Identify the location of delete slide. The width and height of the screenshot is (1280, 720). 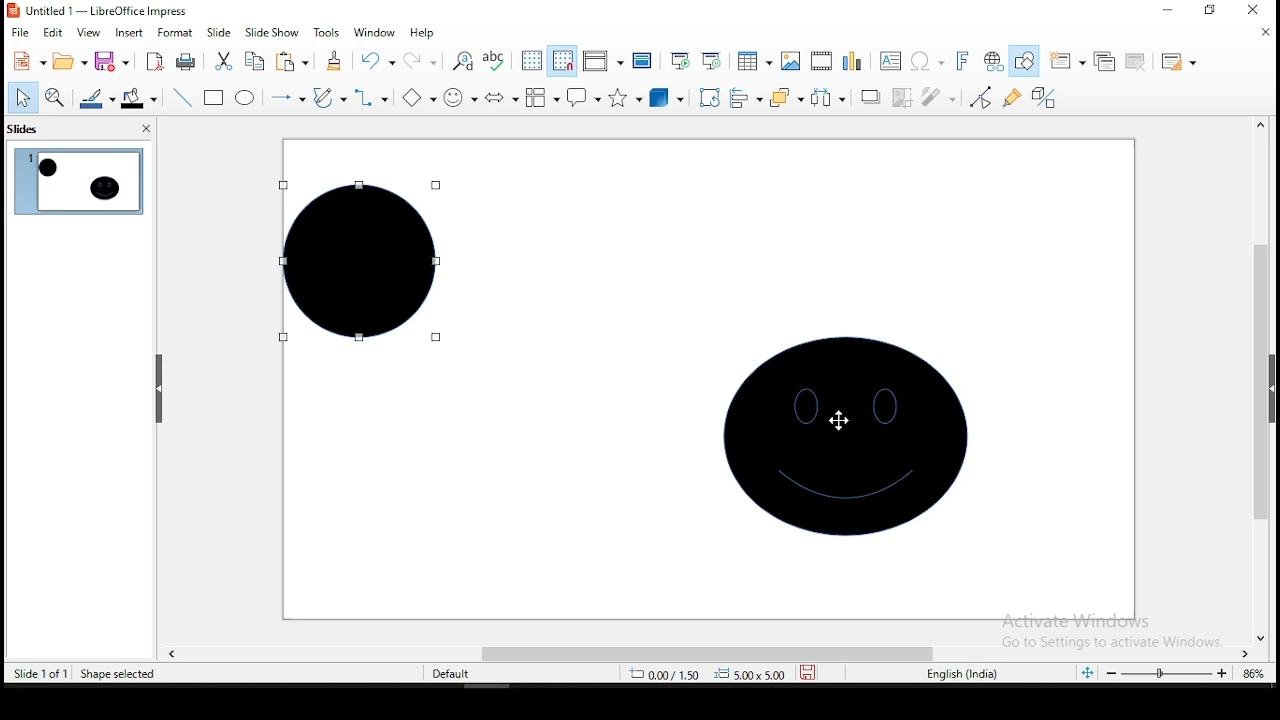
(1133, 60).